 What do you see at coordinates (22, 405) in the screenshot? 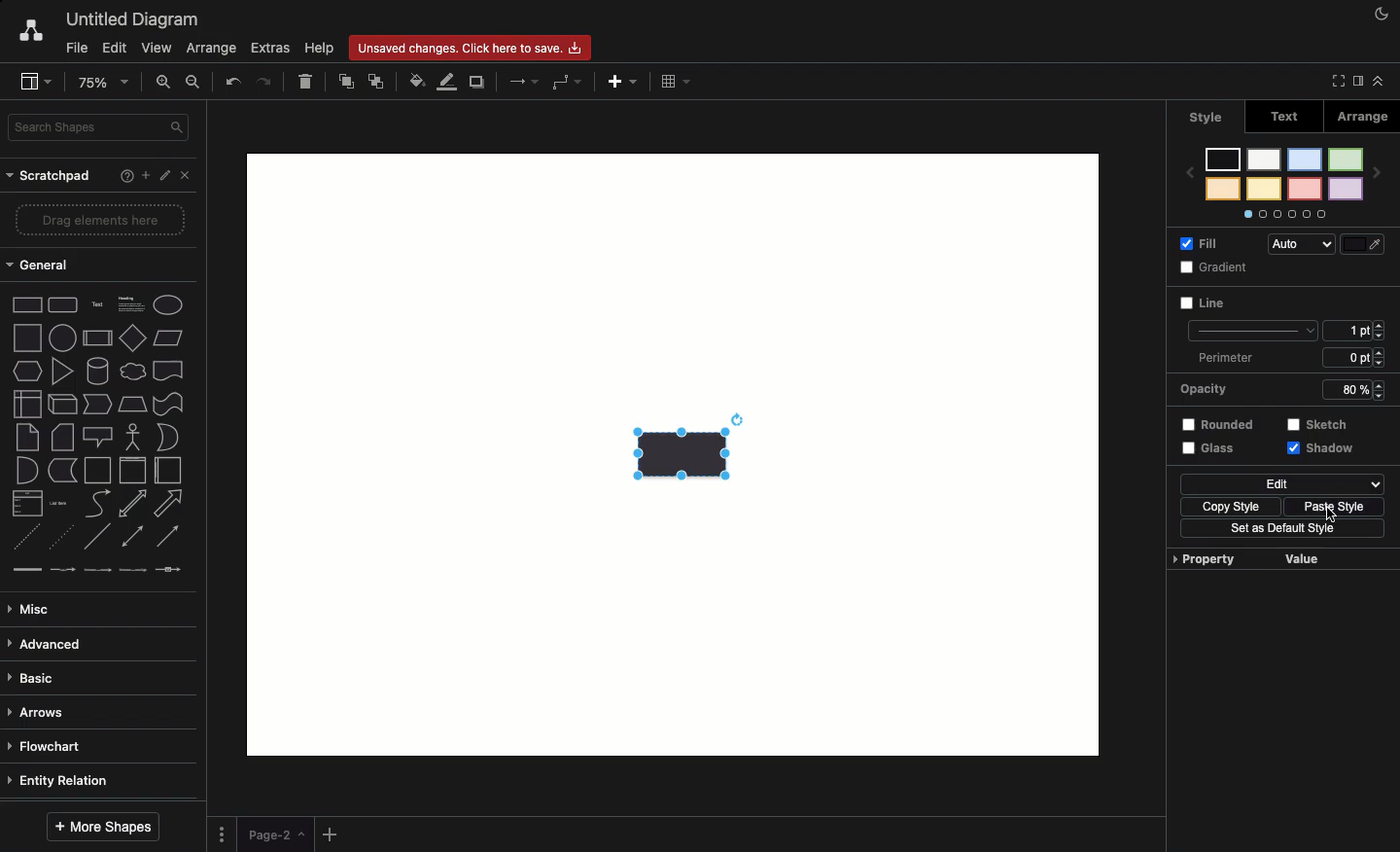
I see `internal storage` at bounding box center [22, 405].